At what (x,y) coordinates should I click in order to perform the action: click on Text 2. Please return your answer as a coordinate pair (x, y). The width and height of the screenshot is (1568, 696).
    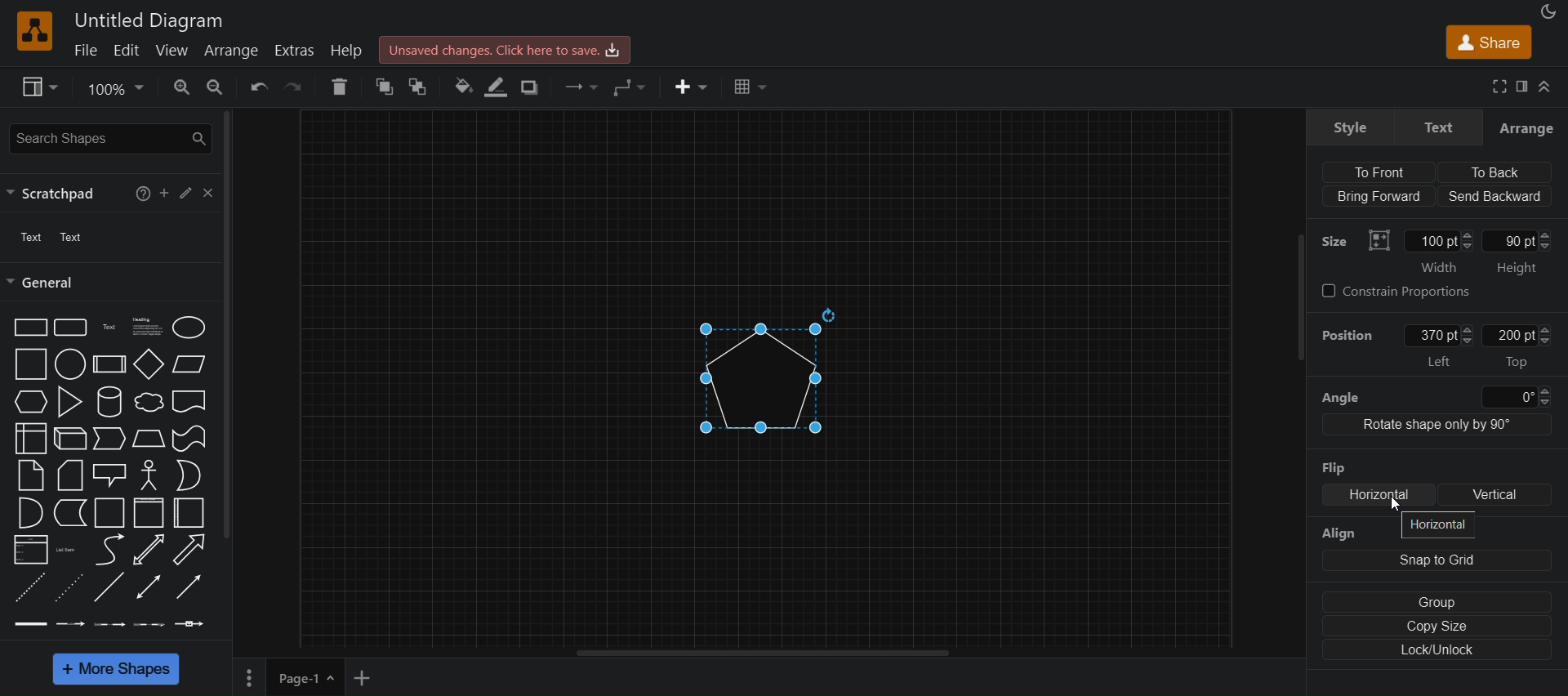
    Looking at the image, I should click on (71, 237).